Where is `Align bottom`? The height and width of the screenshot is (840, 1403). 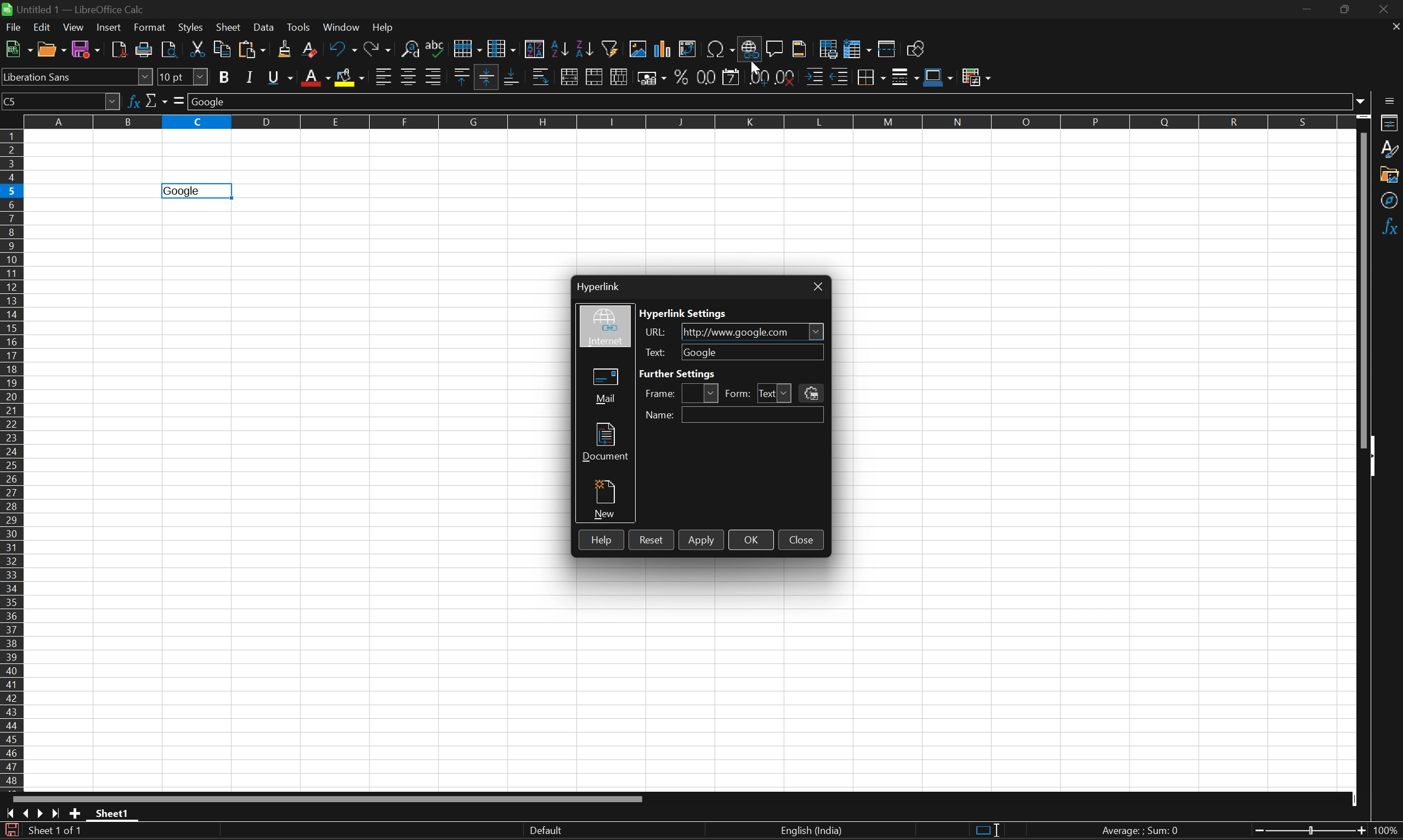 Align bottom is located at coordinates (512, 76).